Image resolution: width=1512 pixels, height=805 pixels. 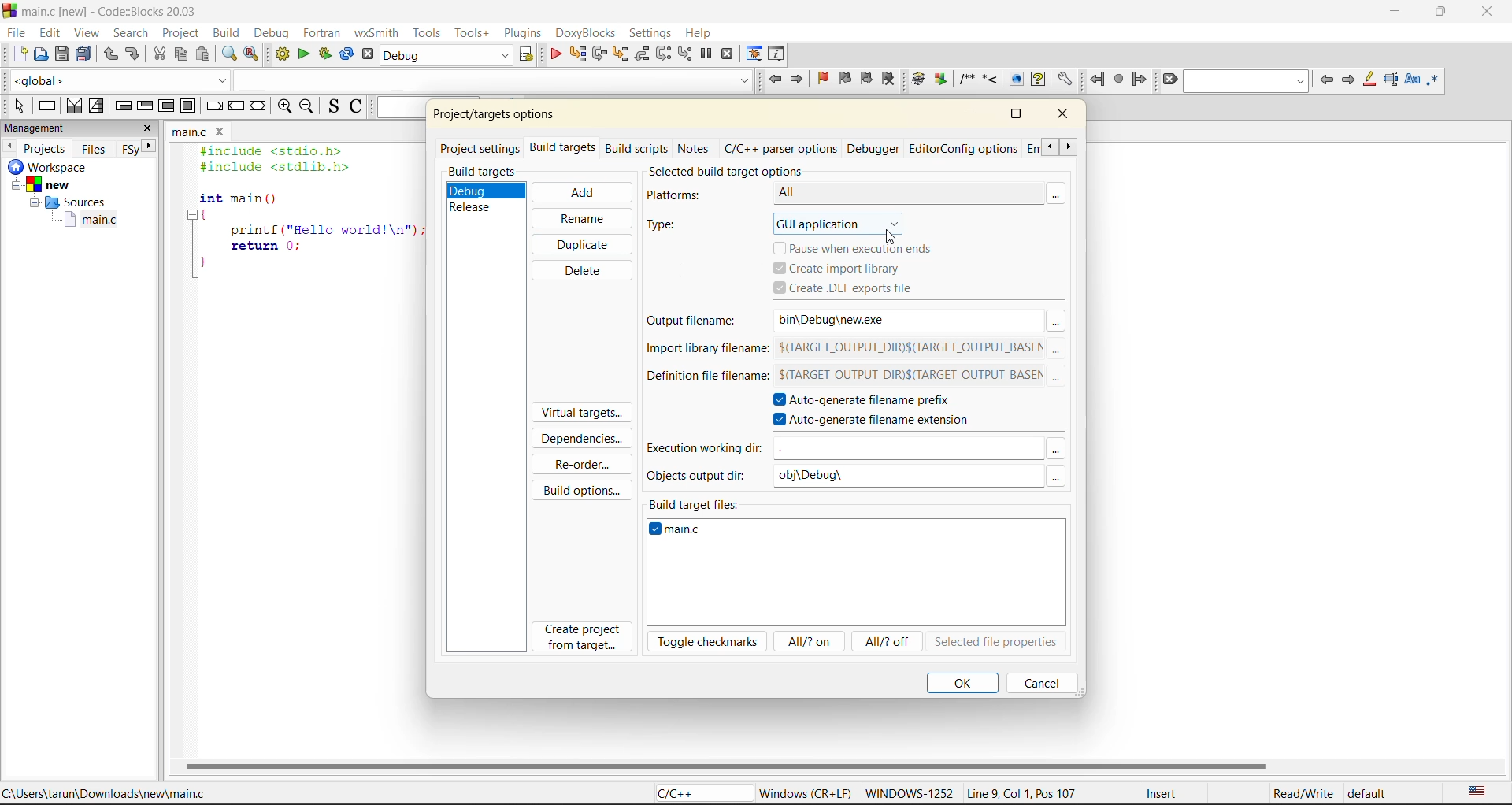 What do you see at coordinates (206, 55) in the screenshot?
I see `paste` at bounding box center [206, 55].